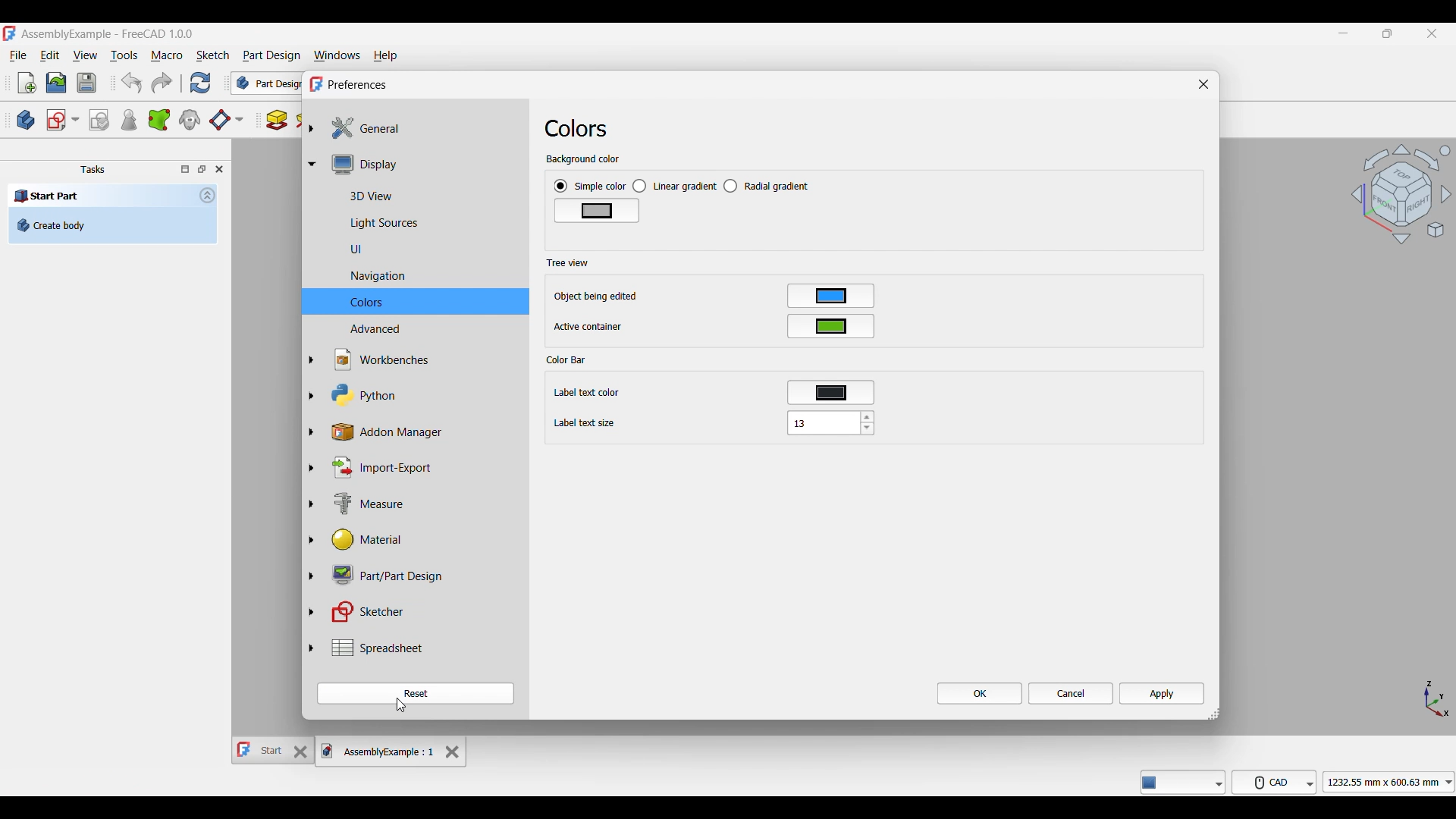 The image size is (1456, 819). I want to click on Display settings, so click(359, 165).